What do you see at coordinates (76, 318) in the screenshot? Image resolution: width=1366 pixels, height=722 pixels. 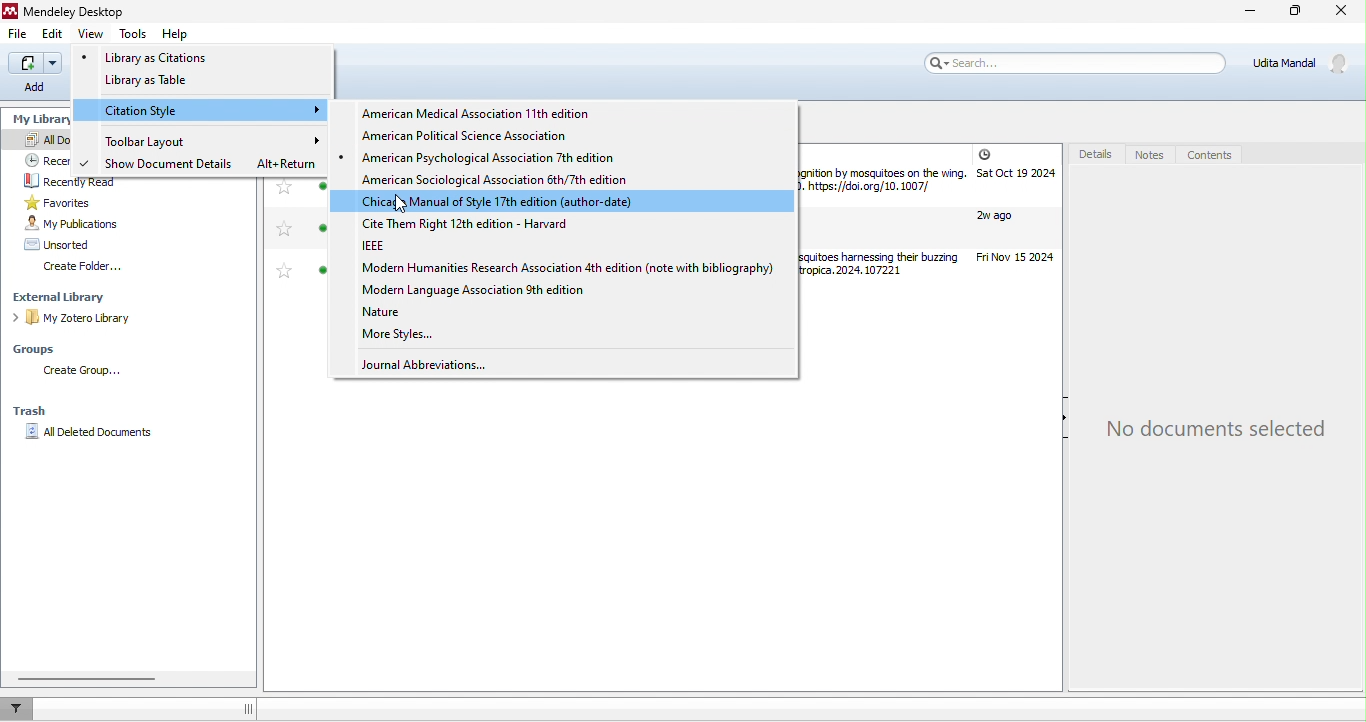 I see `my zotero library` at bounding box center [76, 318].